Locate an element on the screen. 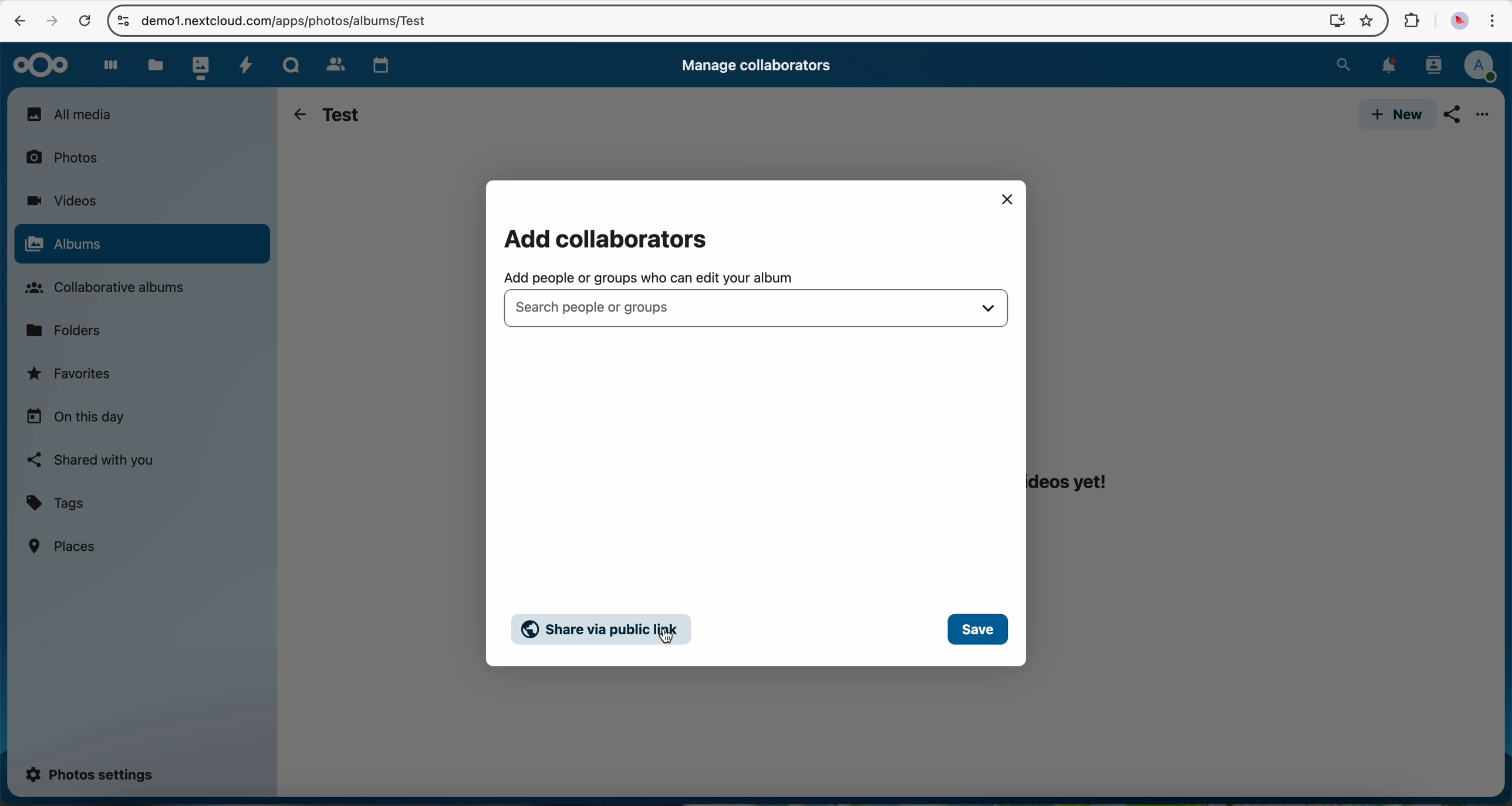 Image resolution: width=1512 pixels, height=806 pixels. videos is located at coordinates (61, 201).